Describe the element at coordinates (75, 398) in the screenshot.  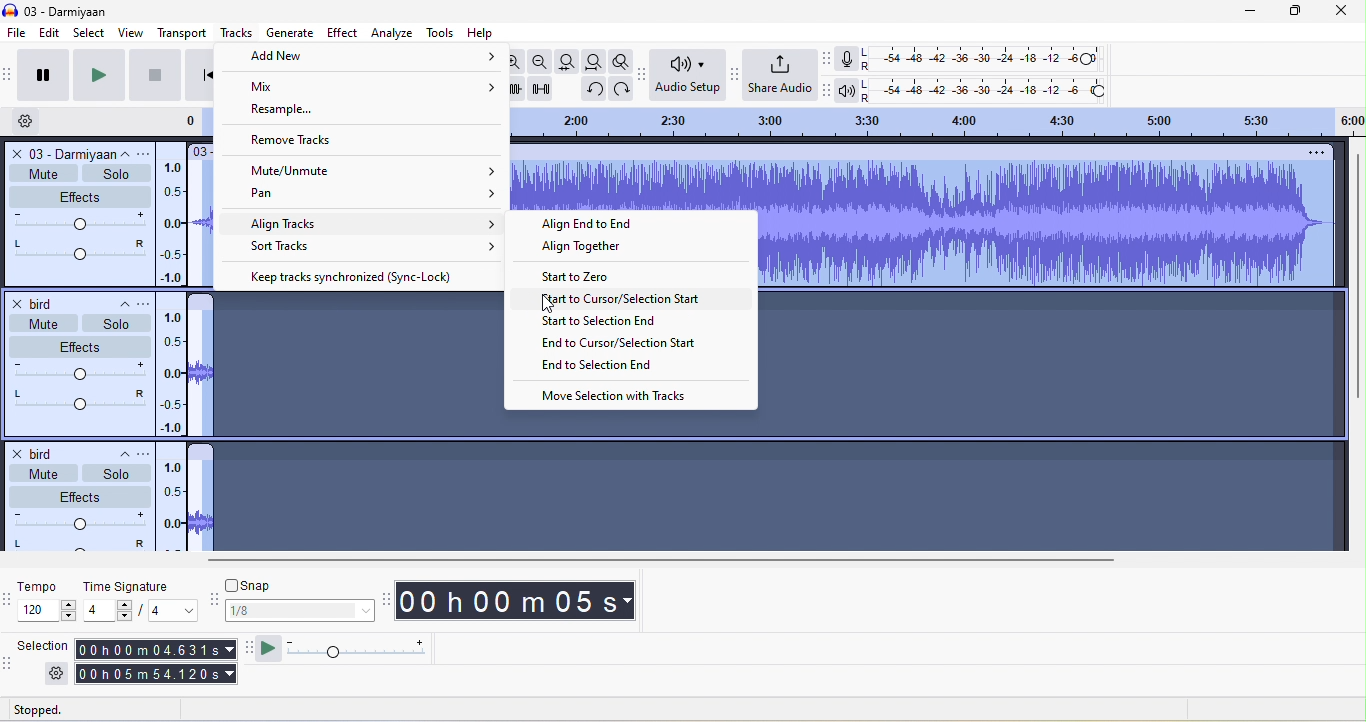
I see `pan:center` at that location.